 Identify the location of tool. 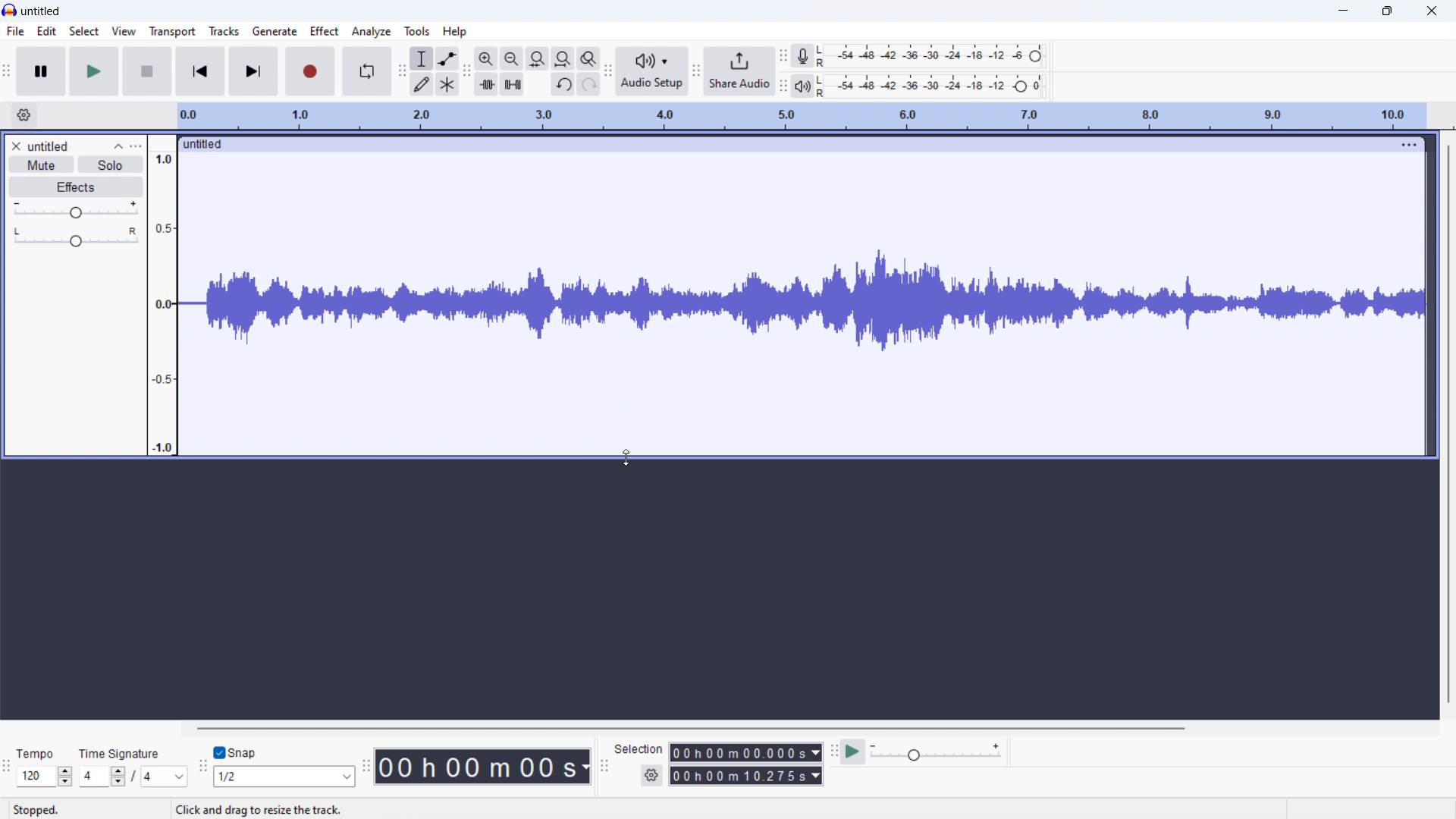
(417, 31).